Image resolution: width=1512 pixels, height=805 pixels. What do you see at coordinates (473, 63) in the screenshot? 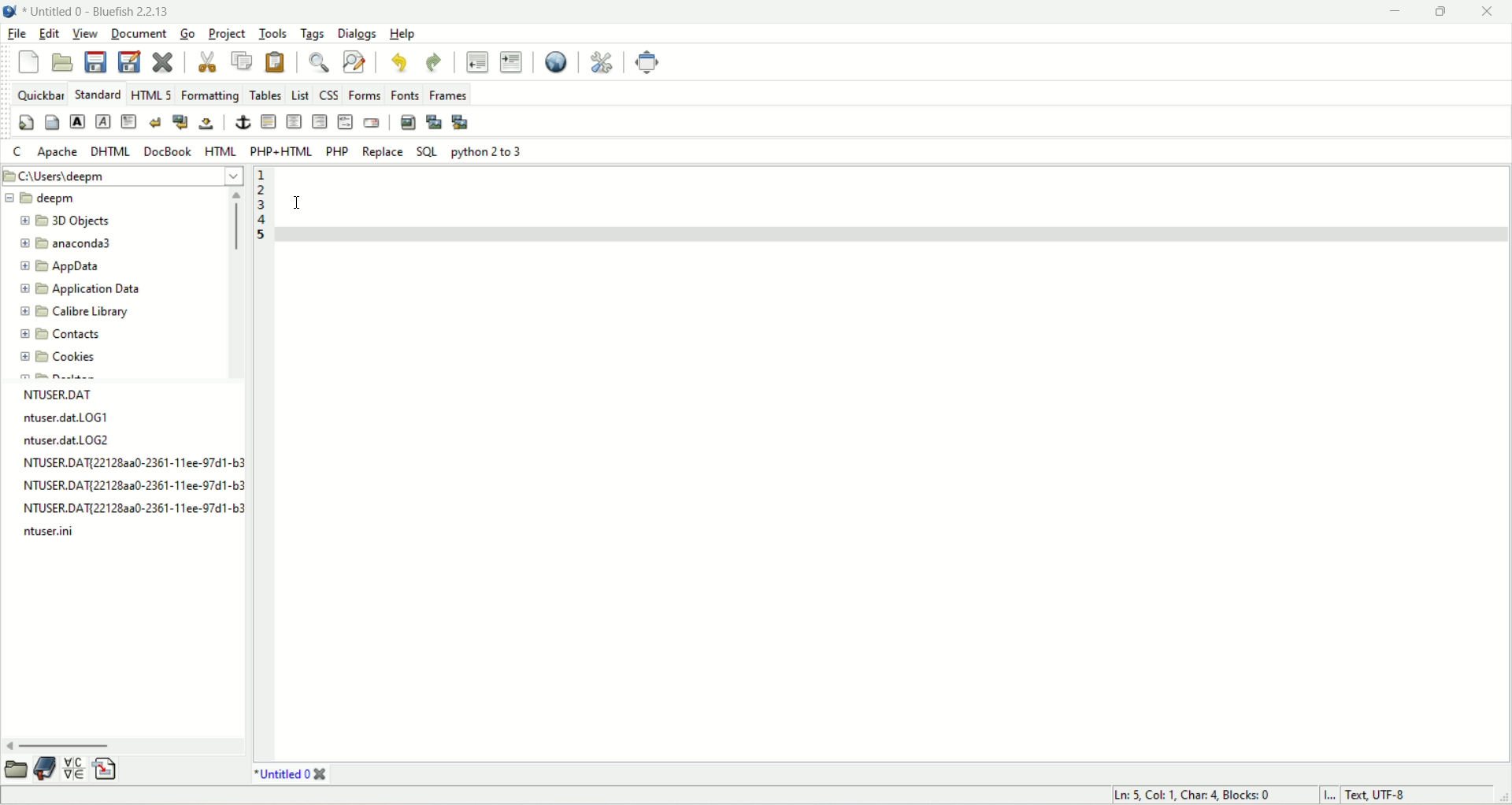
I see `unindent` at bounding box center [473, 63].